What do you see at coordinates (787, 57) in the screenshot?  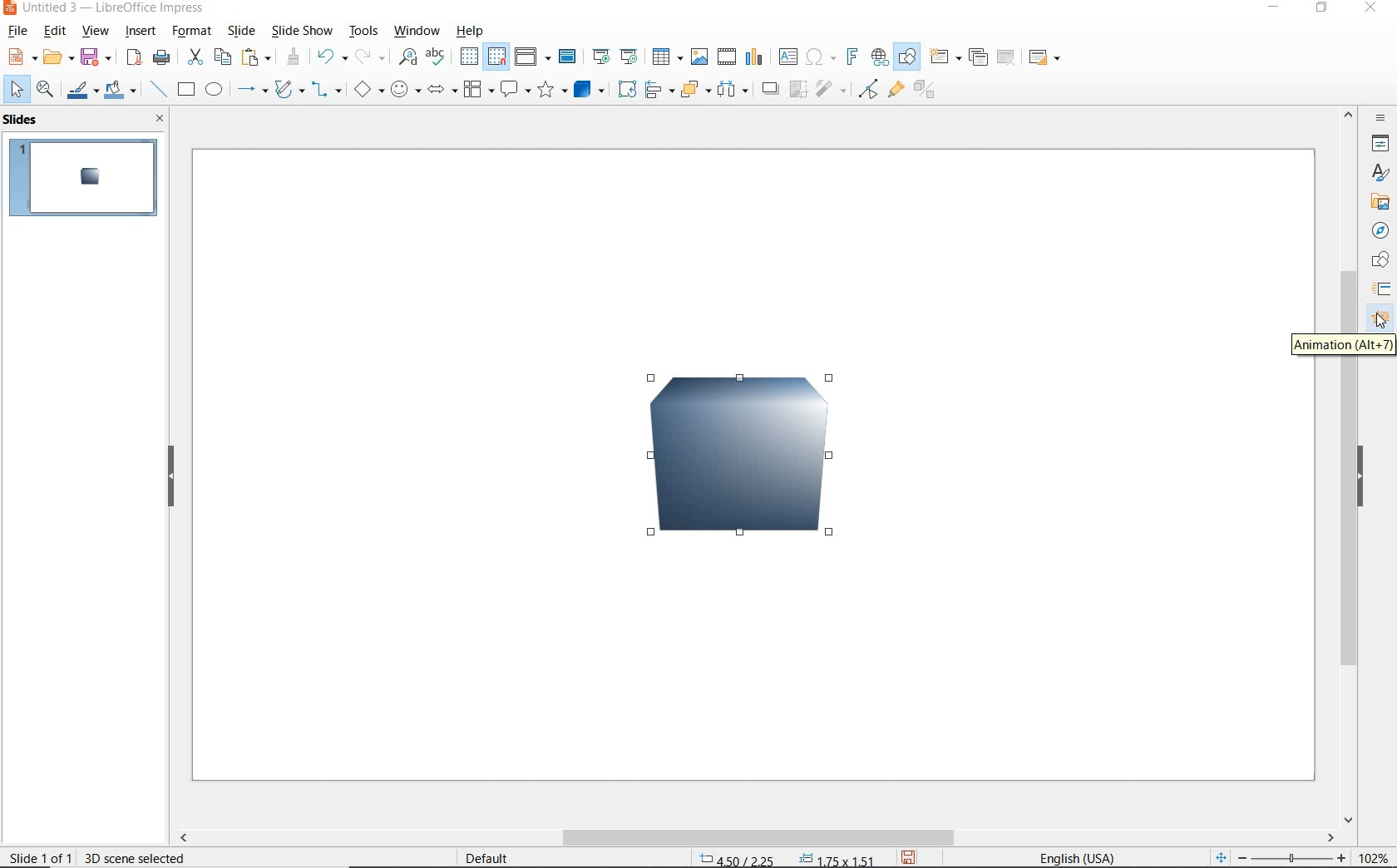 I see `insert text box` at bounding box center [787, 57].